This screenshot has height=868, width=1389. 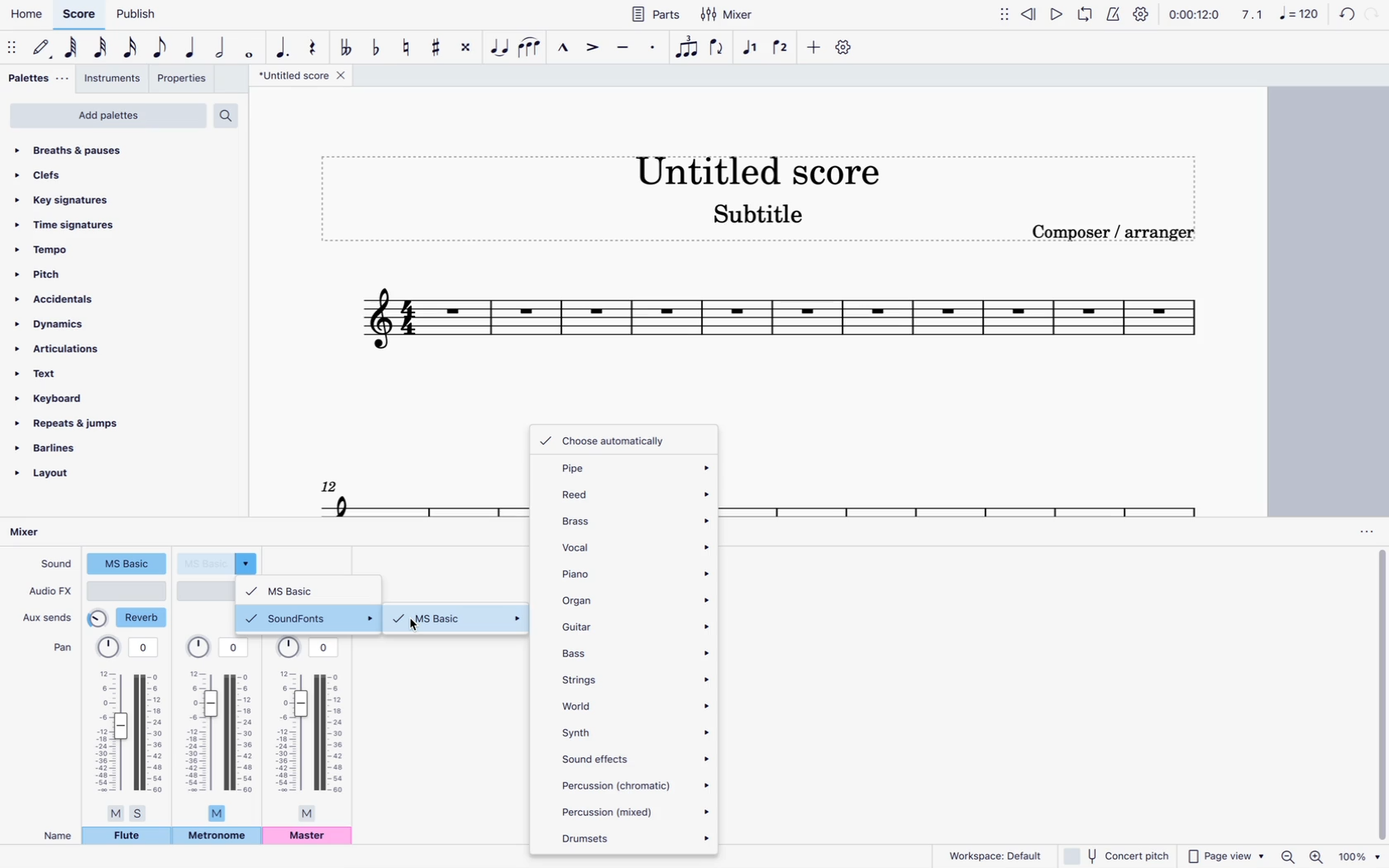 What do you see at coordinates (636, 624) in the screenshot?
I see `guitar` at bounding box center [636, 624].